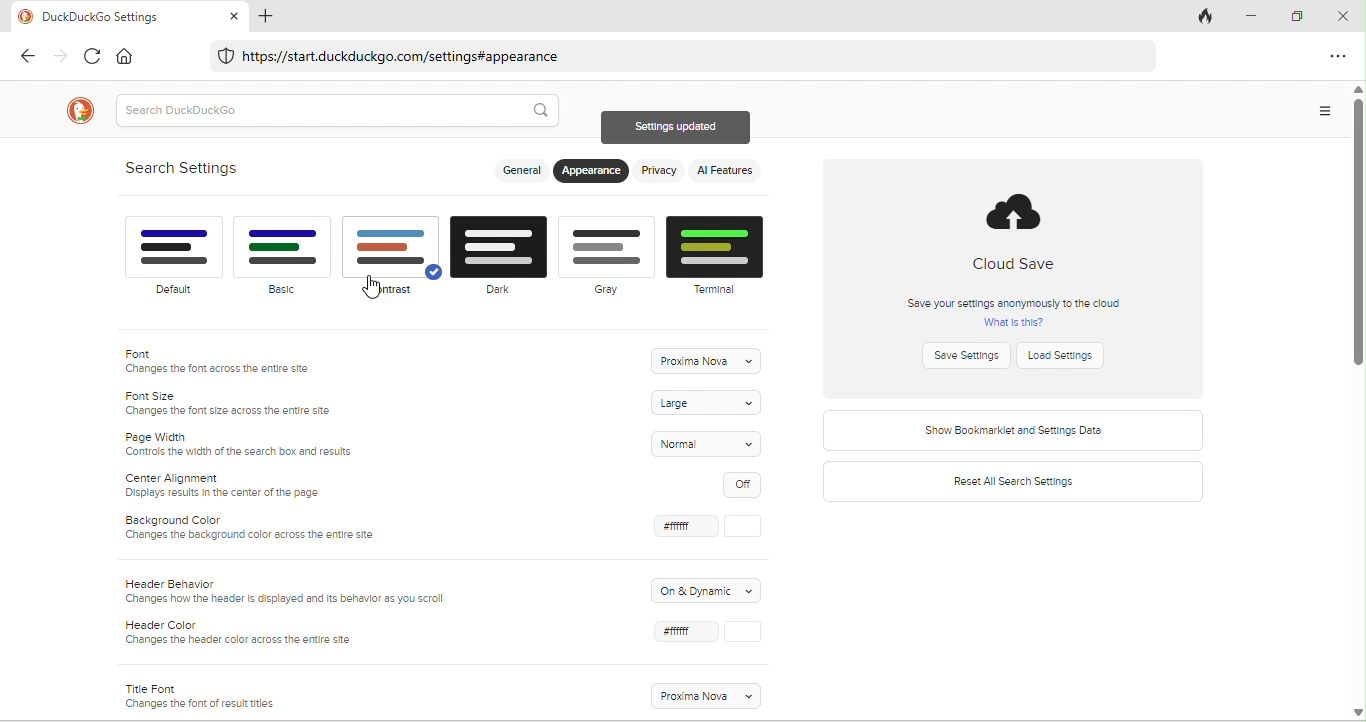 The width and height of the screenshot is (1366, 722). Describe the element at coordinates (76, 111) in the screenshot. I see `logo` at that location.